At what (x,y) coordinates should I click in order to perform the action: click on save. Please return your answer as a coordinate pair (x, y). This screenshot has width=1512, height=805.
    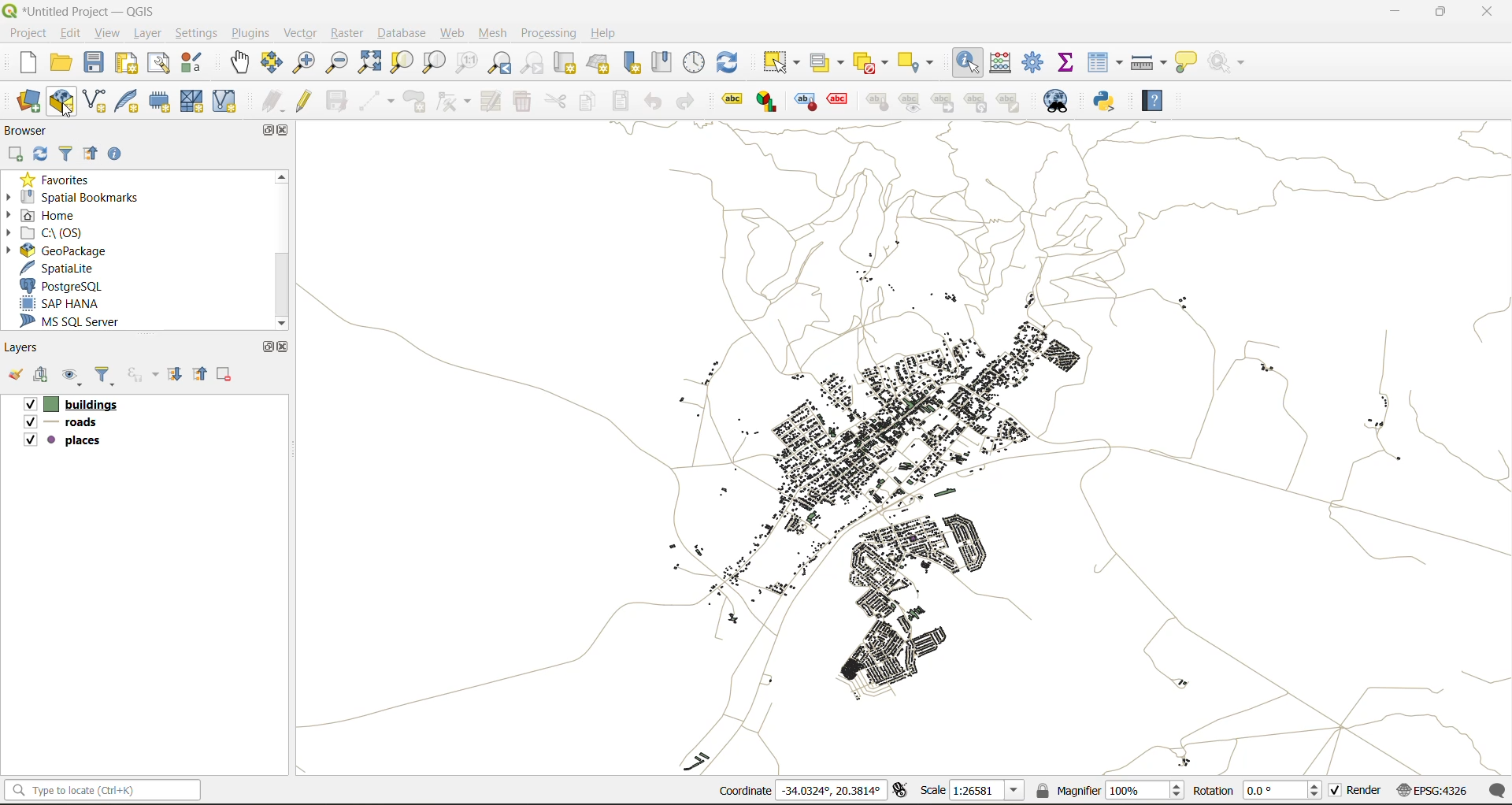
    Looking at the image, I should click on (95, 66).